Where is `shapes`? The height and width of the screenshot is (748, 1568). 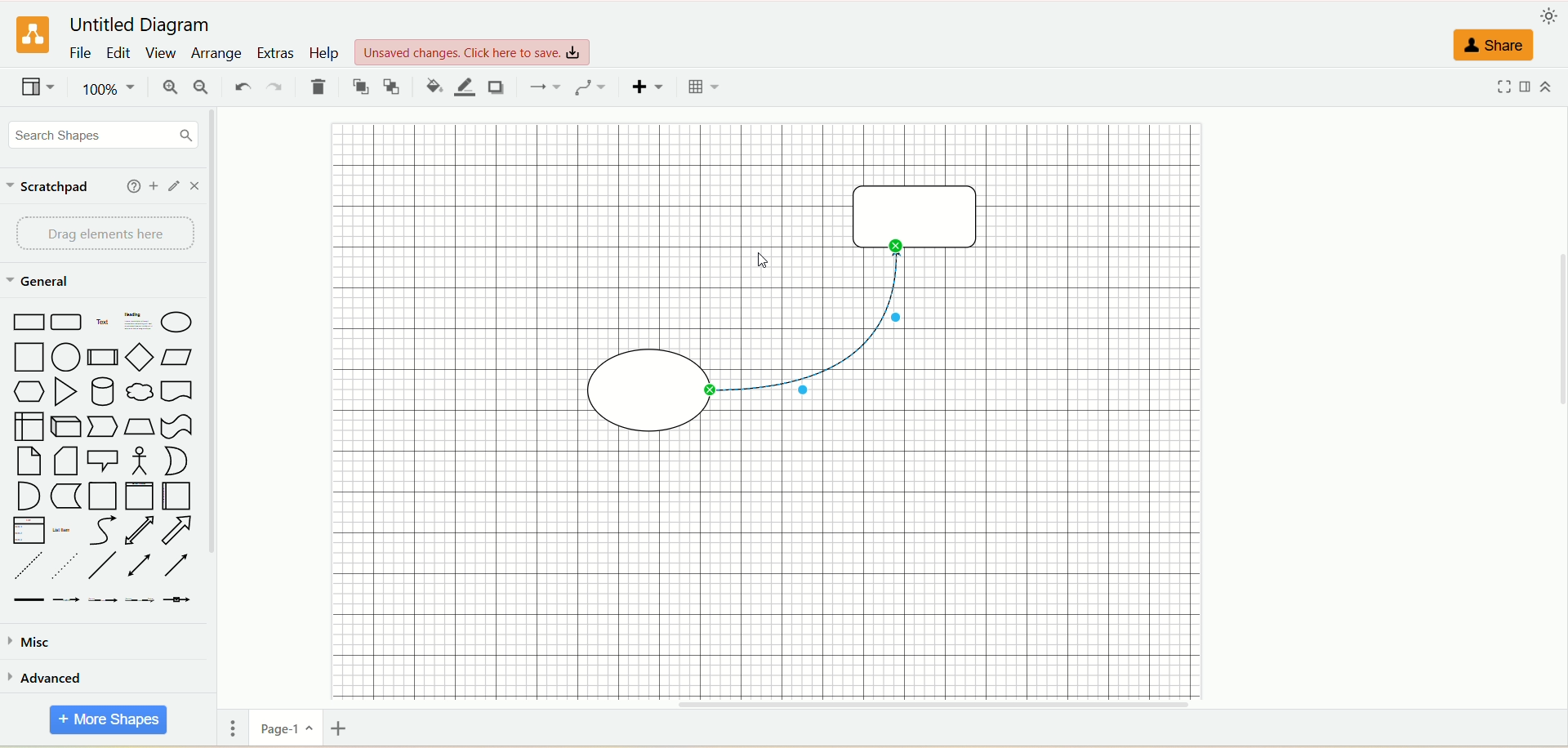 shapes is located at coordinates (100, 456).